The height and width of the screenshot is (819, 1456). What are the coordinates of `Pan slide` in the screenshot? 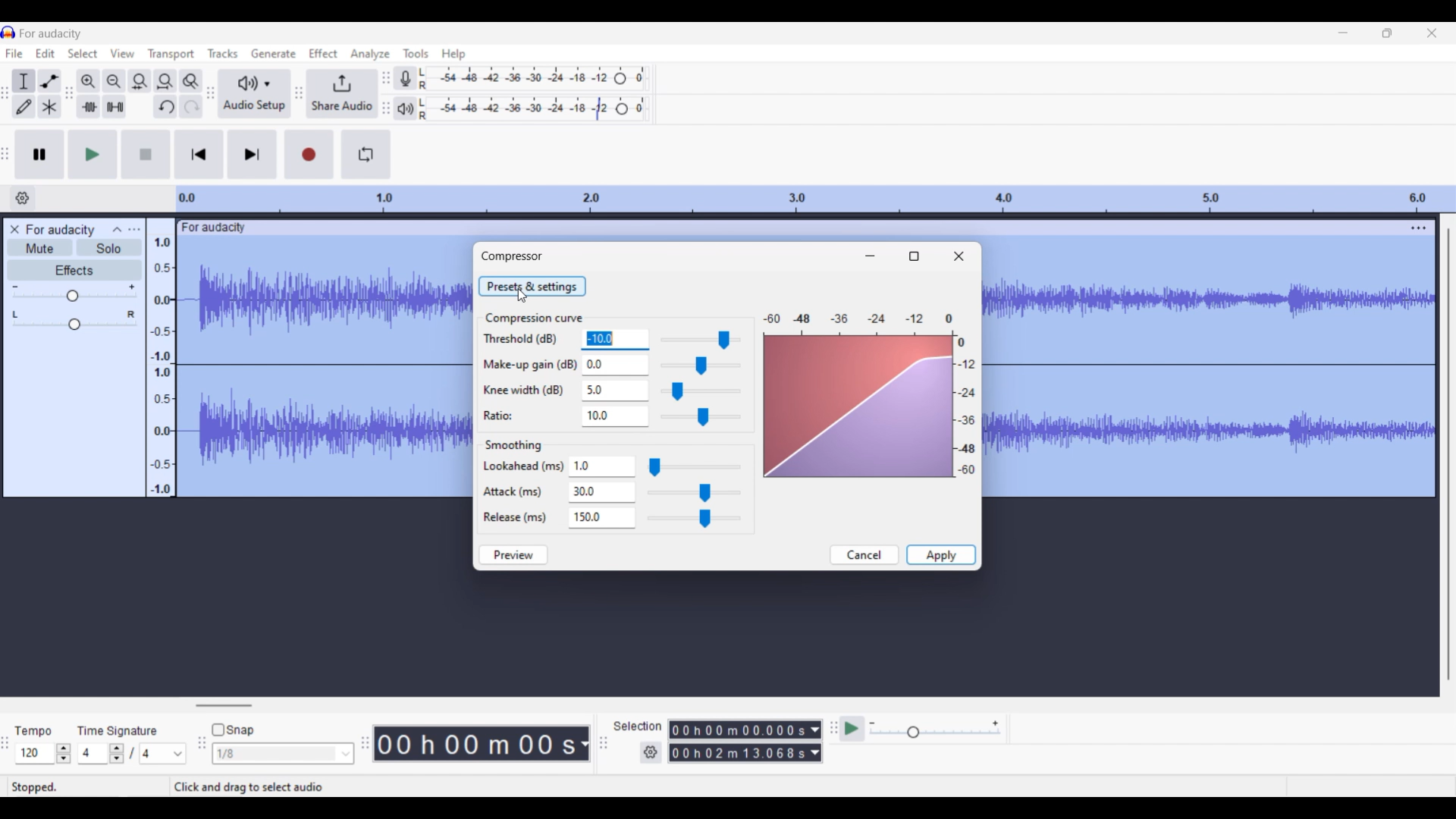 It's located at (74, 320).